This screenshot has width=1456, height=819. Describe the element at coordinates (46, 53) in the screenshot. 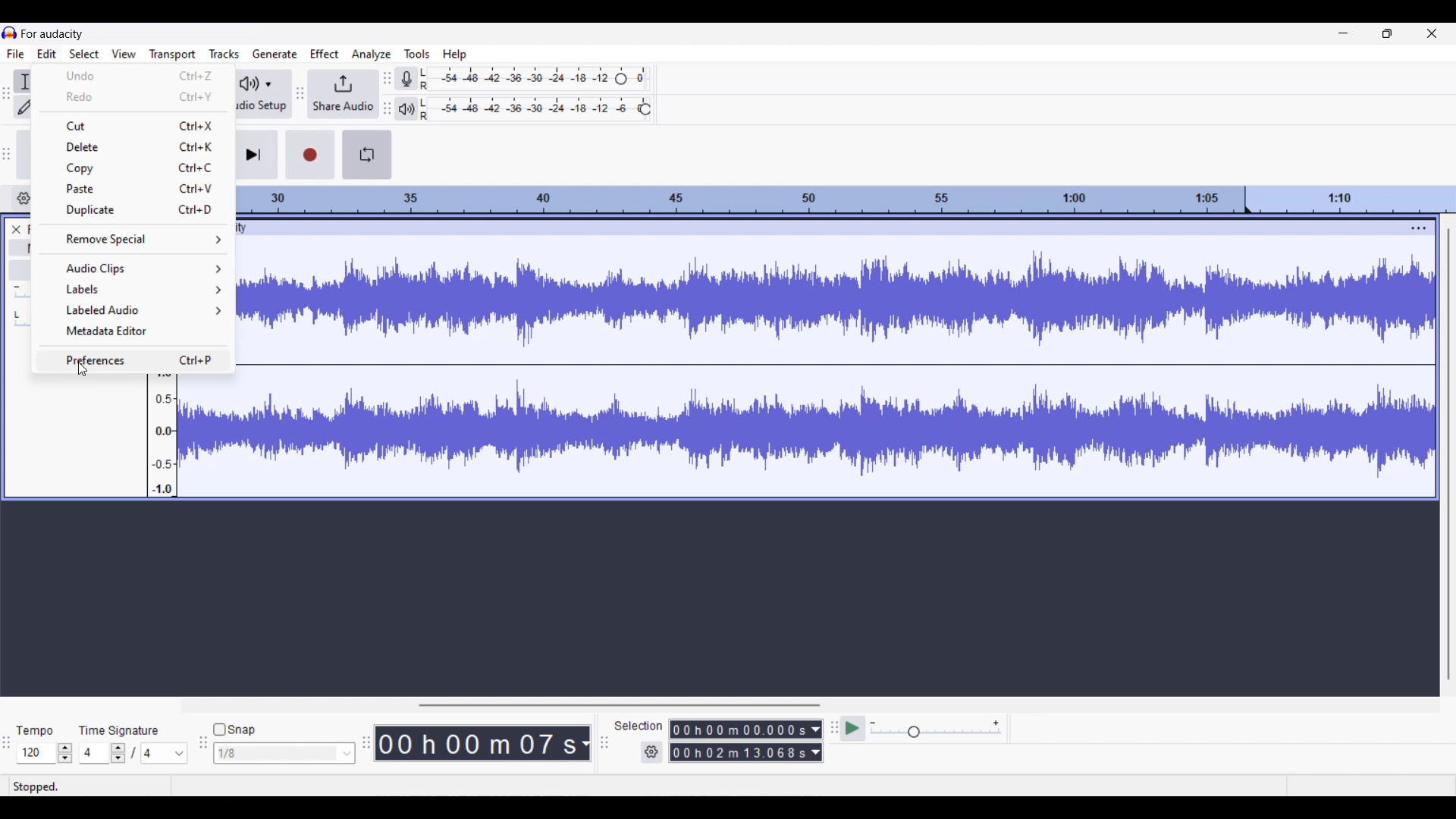

I see `Edit menu` at that location.